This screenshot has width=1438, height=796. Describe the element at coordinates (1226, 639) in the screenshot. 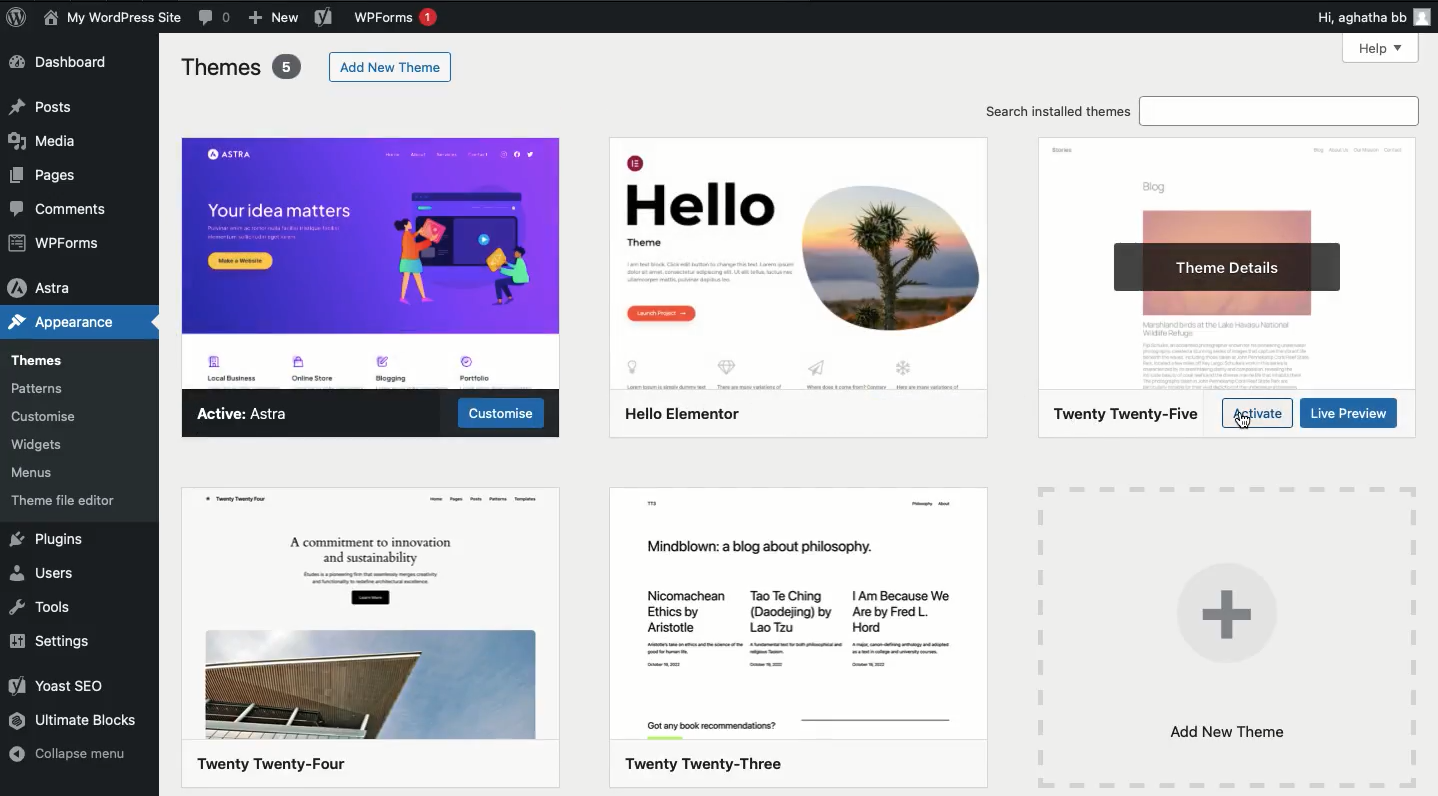

I see `Add new theme` at that location.